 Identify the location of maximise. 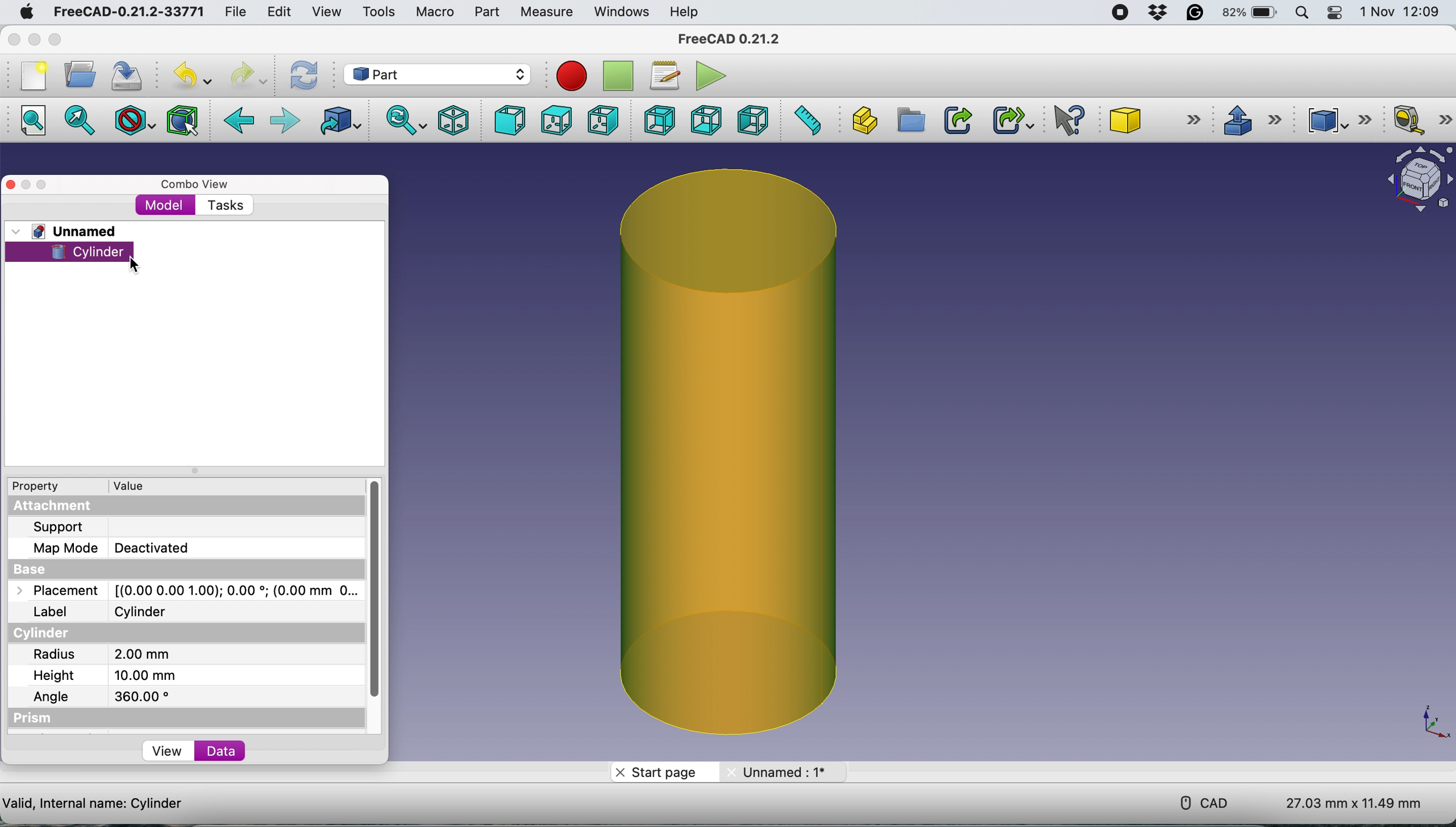
(59, 39).